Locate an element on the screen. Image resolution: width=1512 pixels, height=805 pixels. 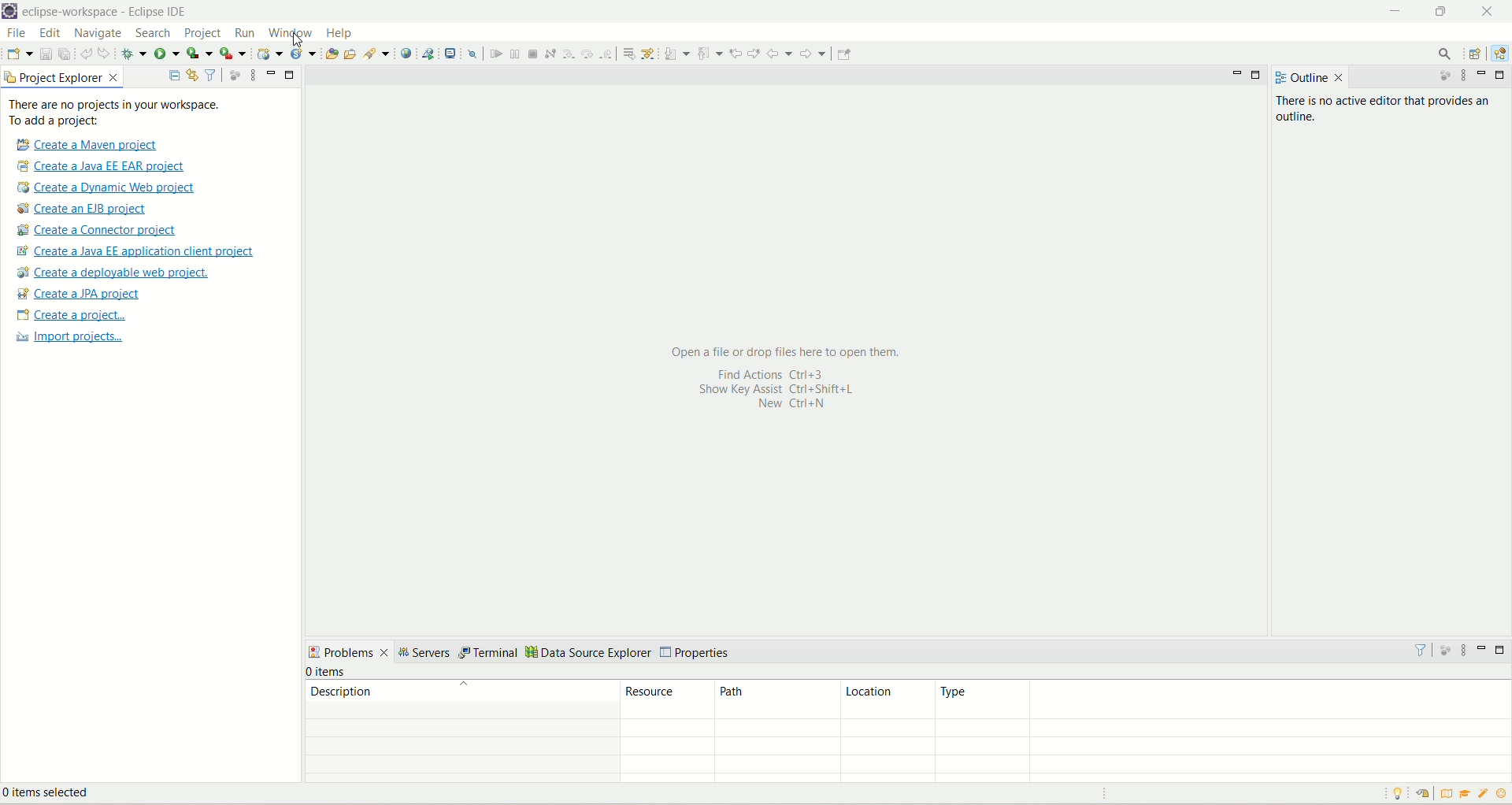
open web service is located at coordinates (406, 54).